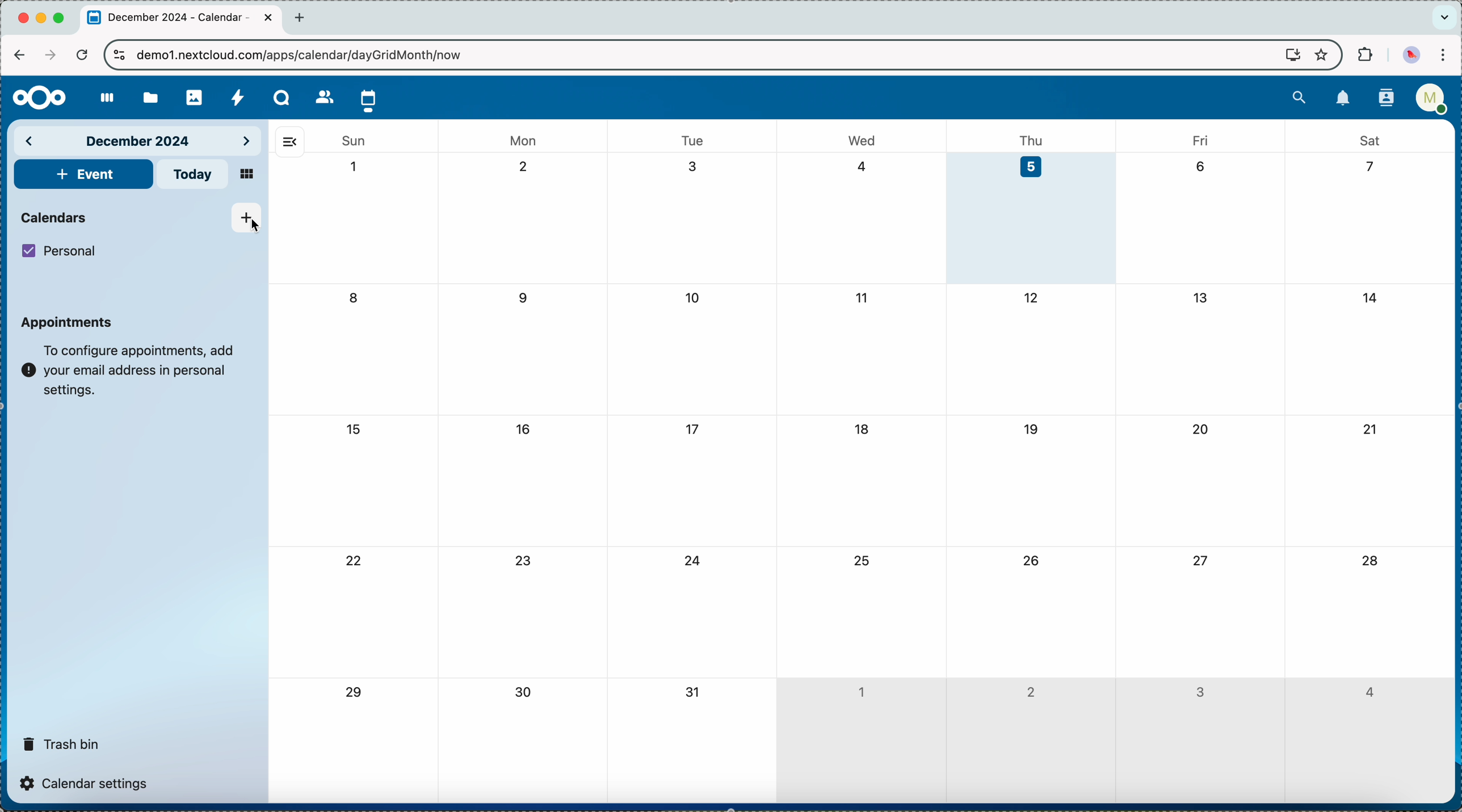  I want to click on customize and control Google Chrome, so click(1447, 56).